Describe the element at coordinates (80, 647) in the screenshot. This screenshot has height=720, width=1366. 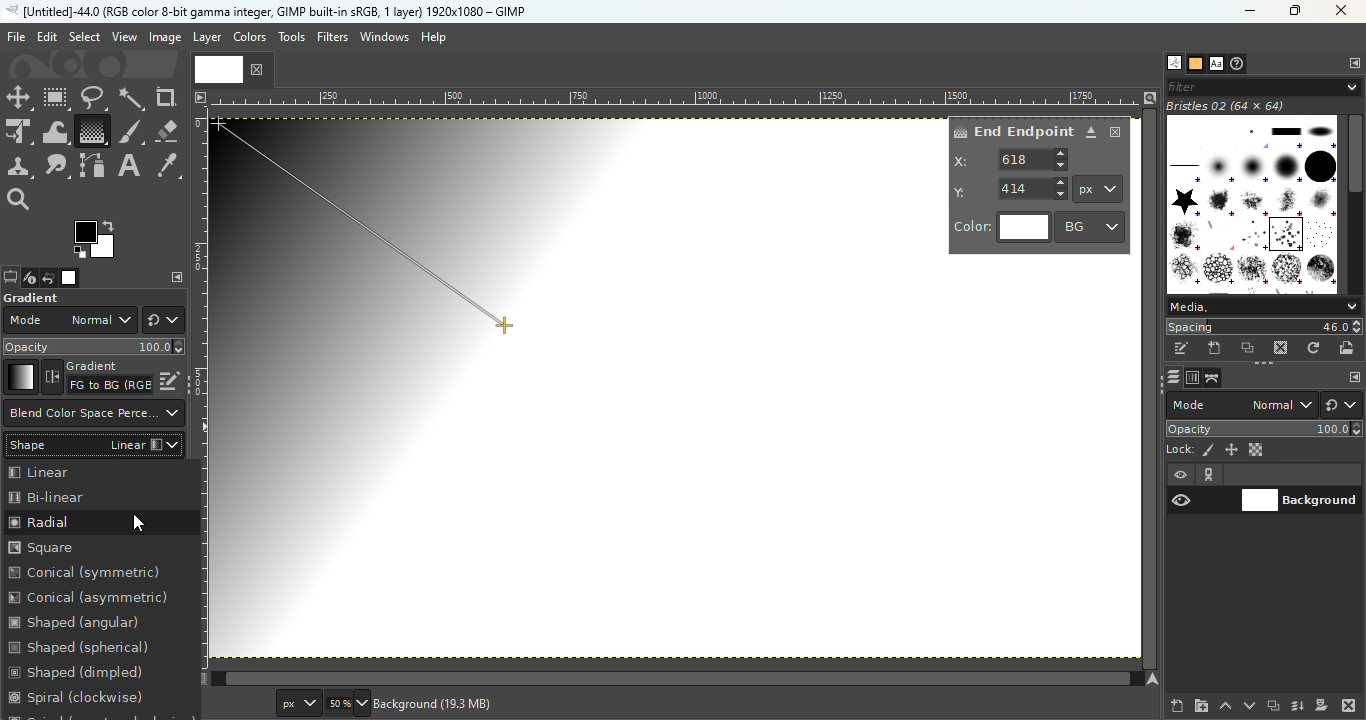
I see `Shaped (spherical)` at that location.